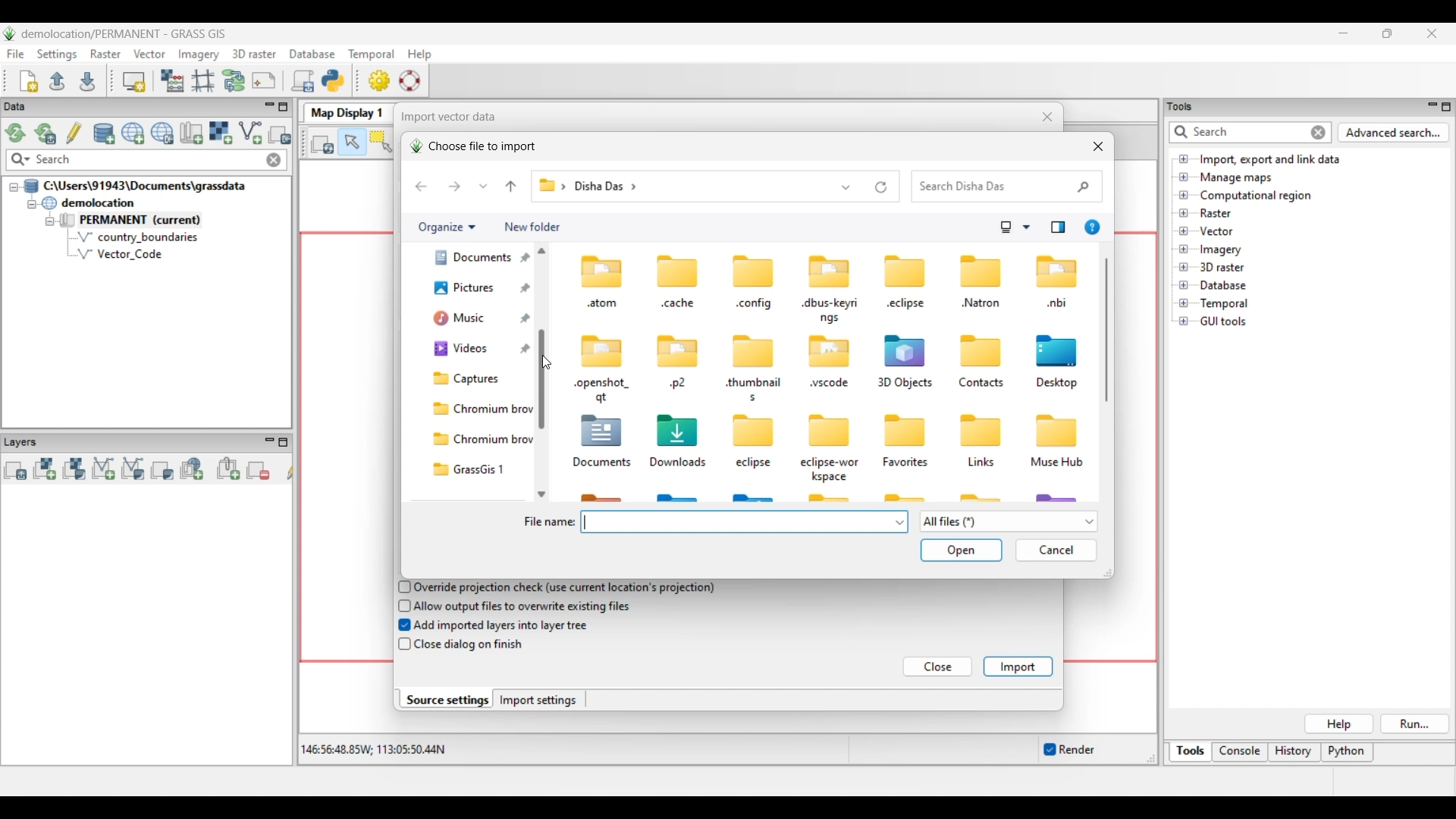  What do you see at coordinates (1058, 227) in the screenshot?
I see `Show the preview pane` at bounding box center [1058, 227].